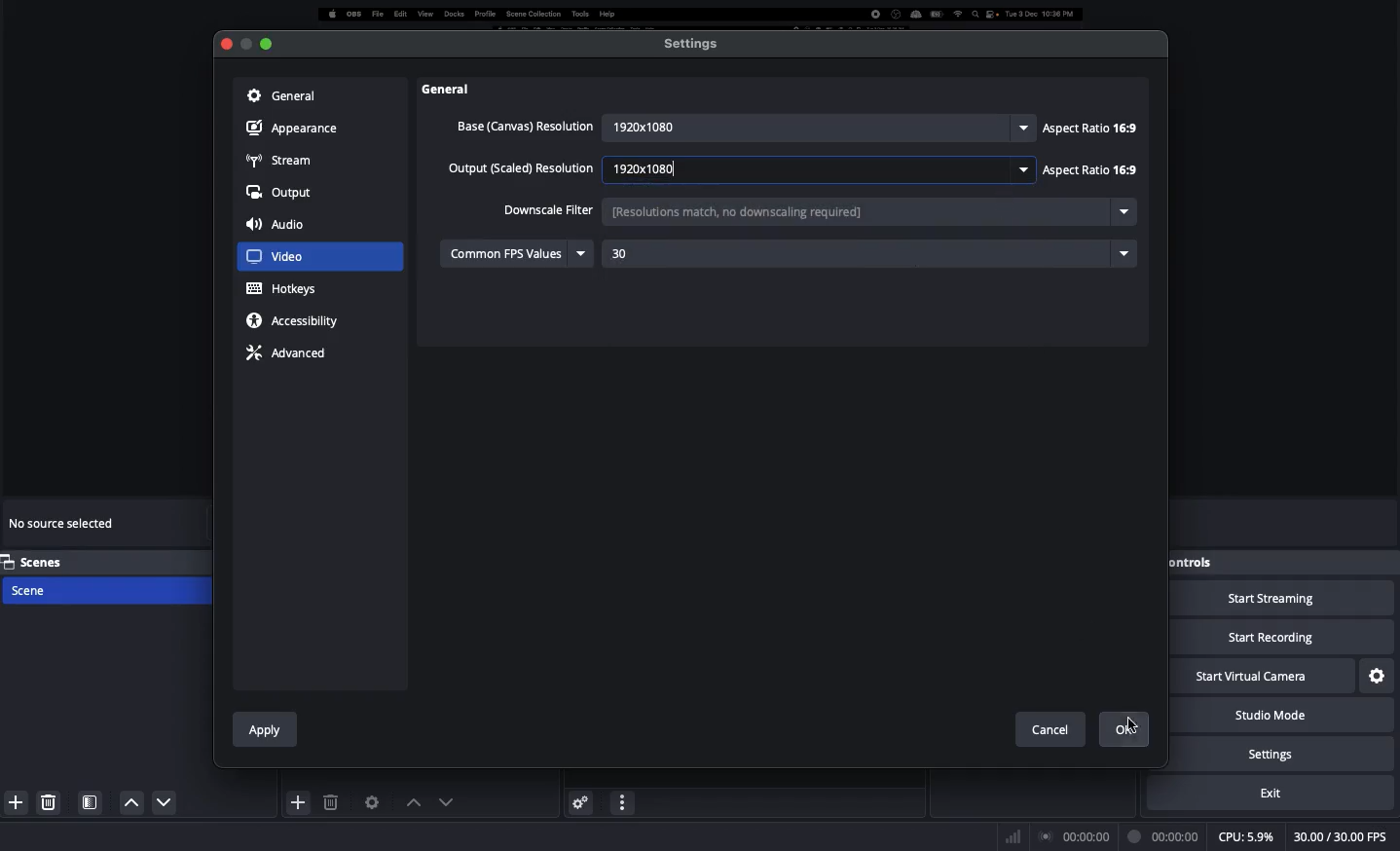 The width and height of the screenshot is (1400, 851). Describe the element at coordinates (821, 211) in the screenshot. I see `(Resolutions match, no downscaling required)` at that location.